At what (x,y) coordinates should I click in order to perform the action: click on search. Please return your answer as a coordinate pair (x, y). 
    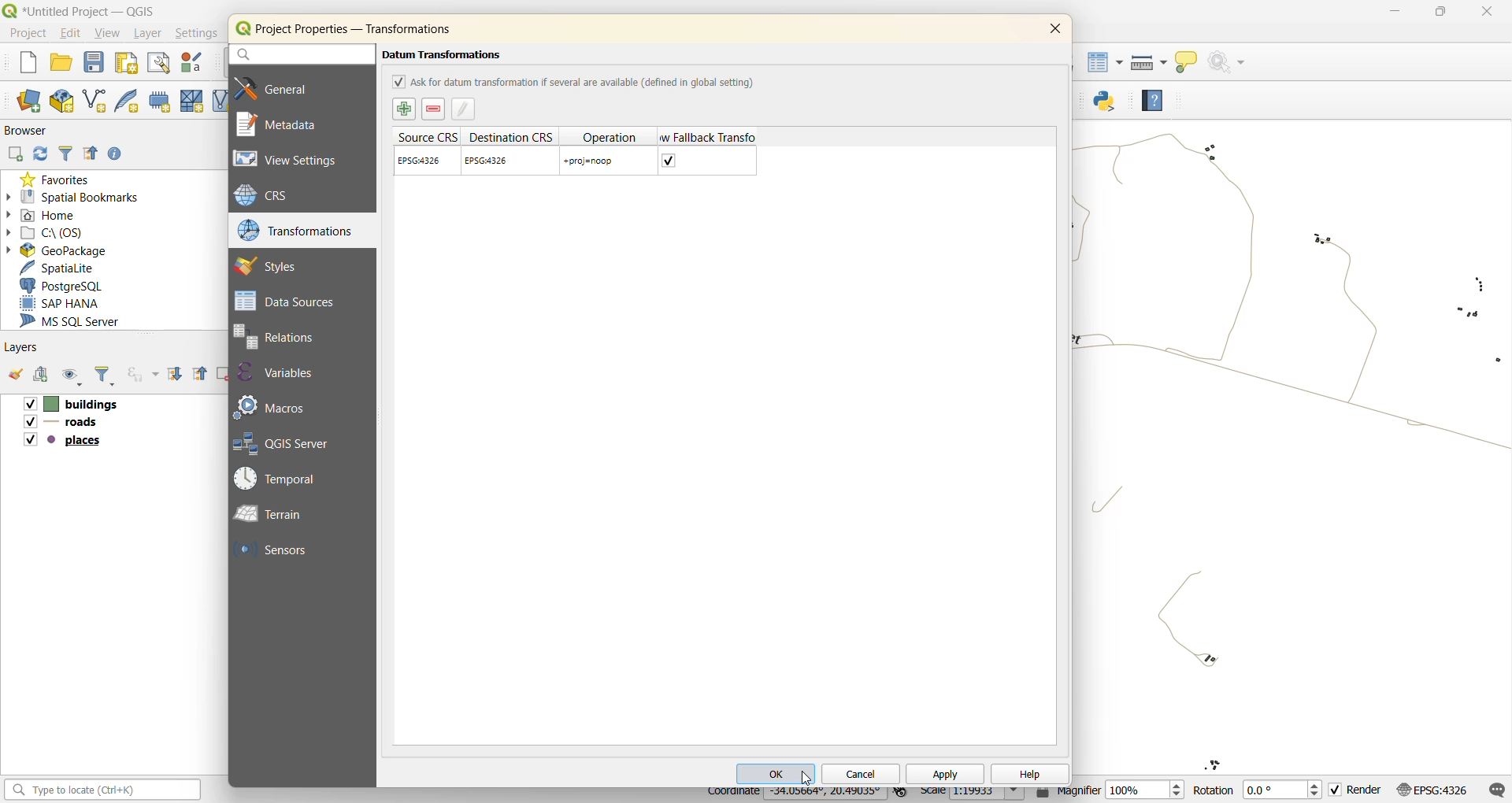
    Looking at the image, I should click on (297, 55).